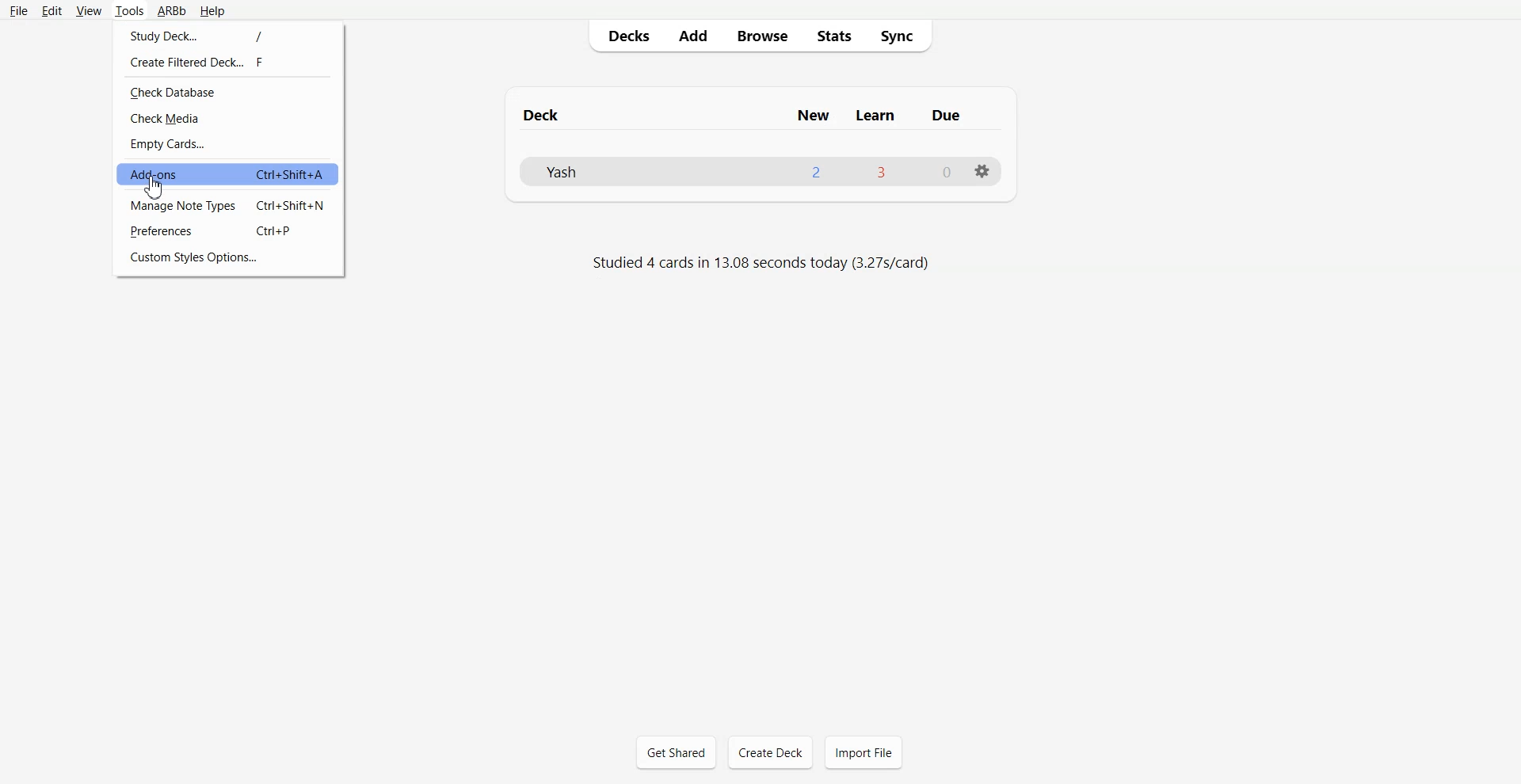 The width and height of the screenshot is (1521, 784). I want to click on Settings, so click(982, 170).